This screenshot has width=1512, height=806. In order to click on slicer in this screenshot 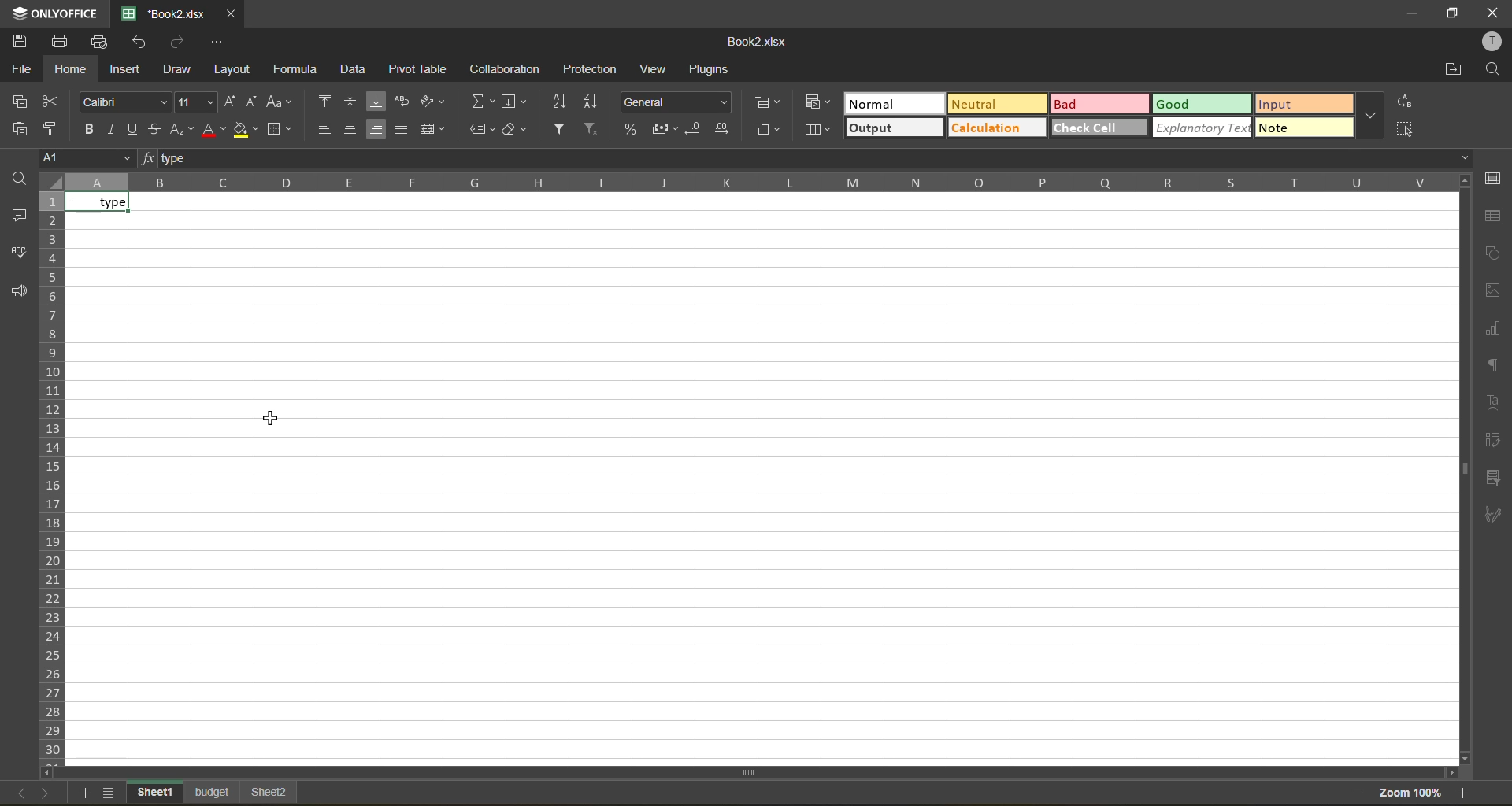, I will do `click(1493, 479)`.